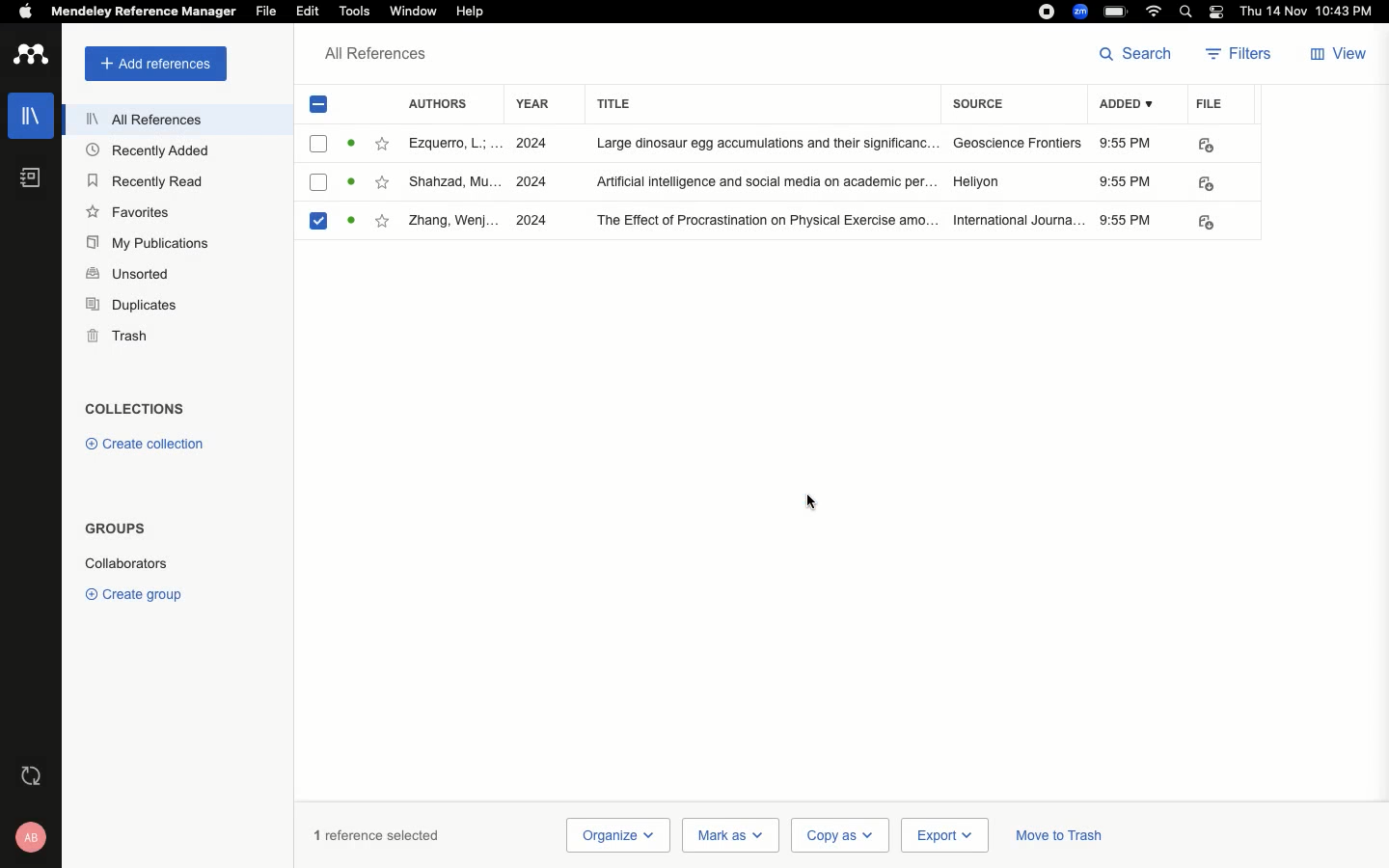  I want to click on Edit, so click(309, 13).